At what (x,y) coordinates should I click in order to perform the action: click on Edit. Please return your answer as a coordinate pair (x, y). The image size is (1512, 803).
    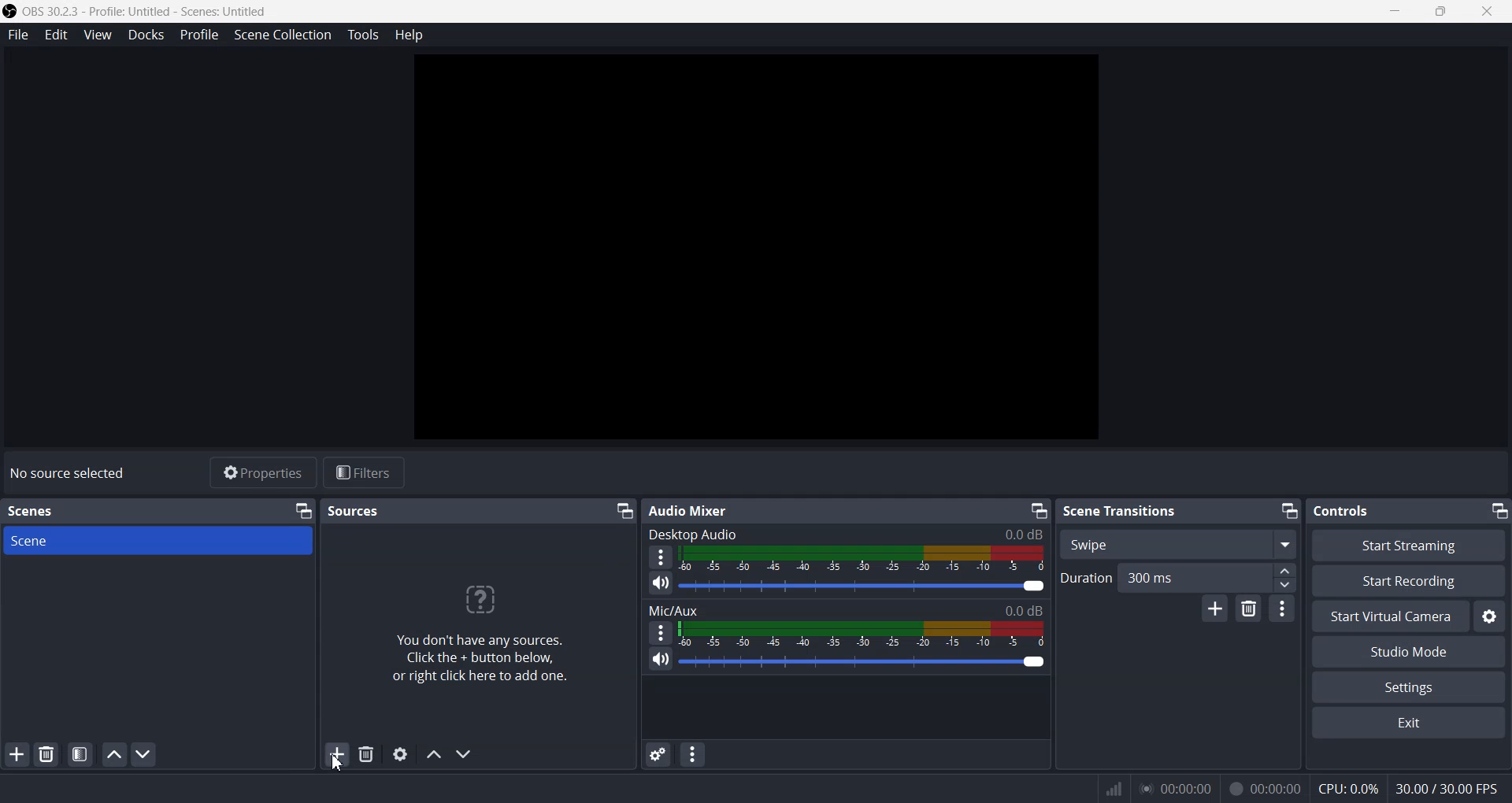
    Looking at the image, I should click on (57, 34).